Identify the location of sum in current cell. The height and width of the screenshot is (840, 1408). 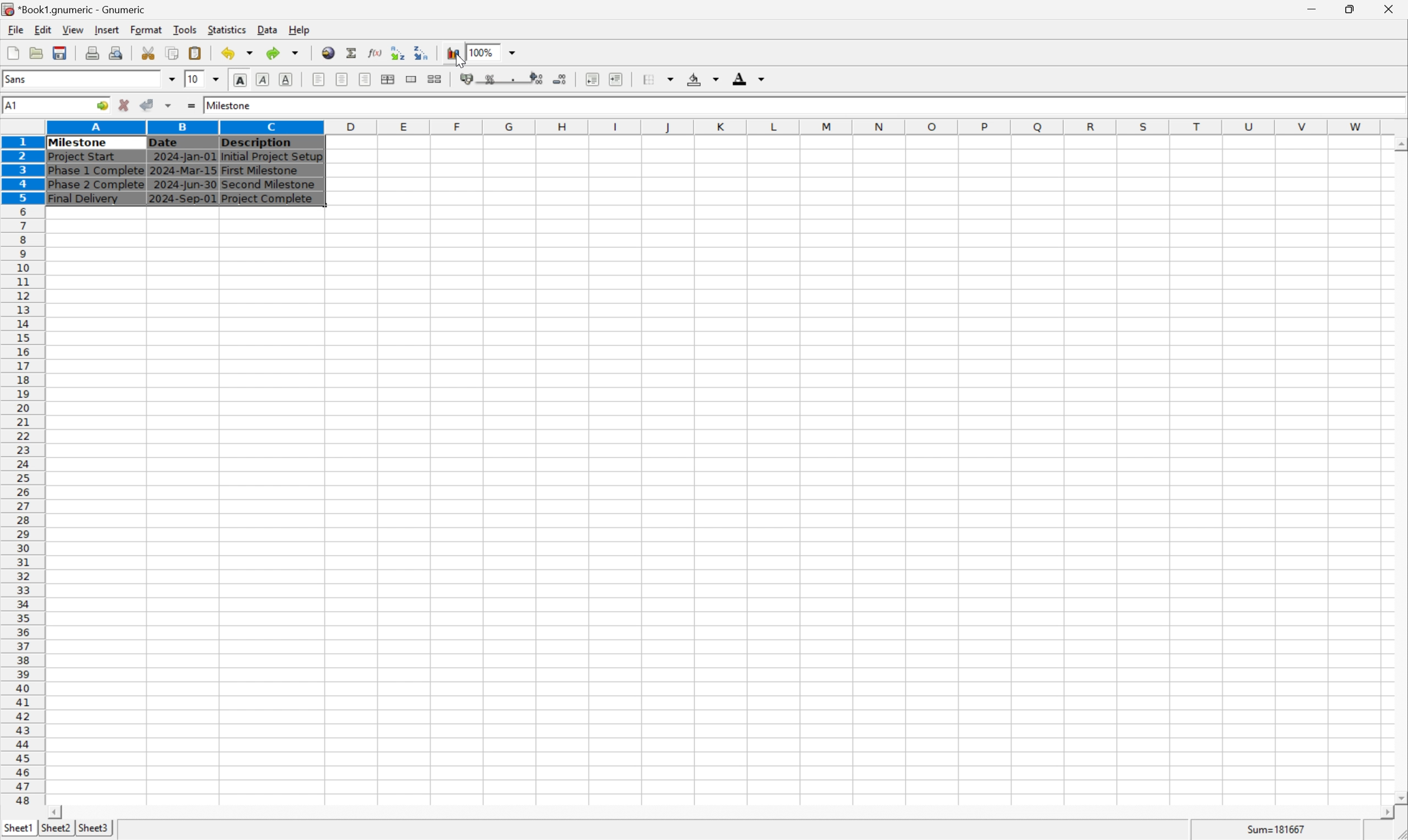
(353, 53).